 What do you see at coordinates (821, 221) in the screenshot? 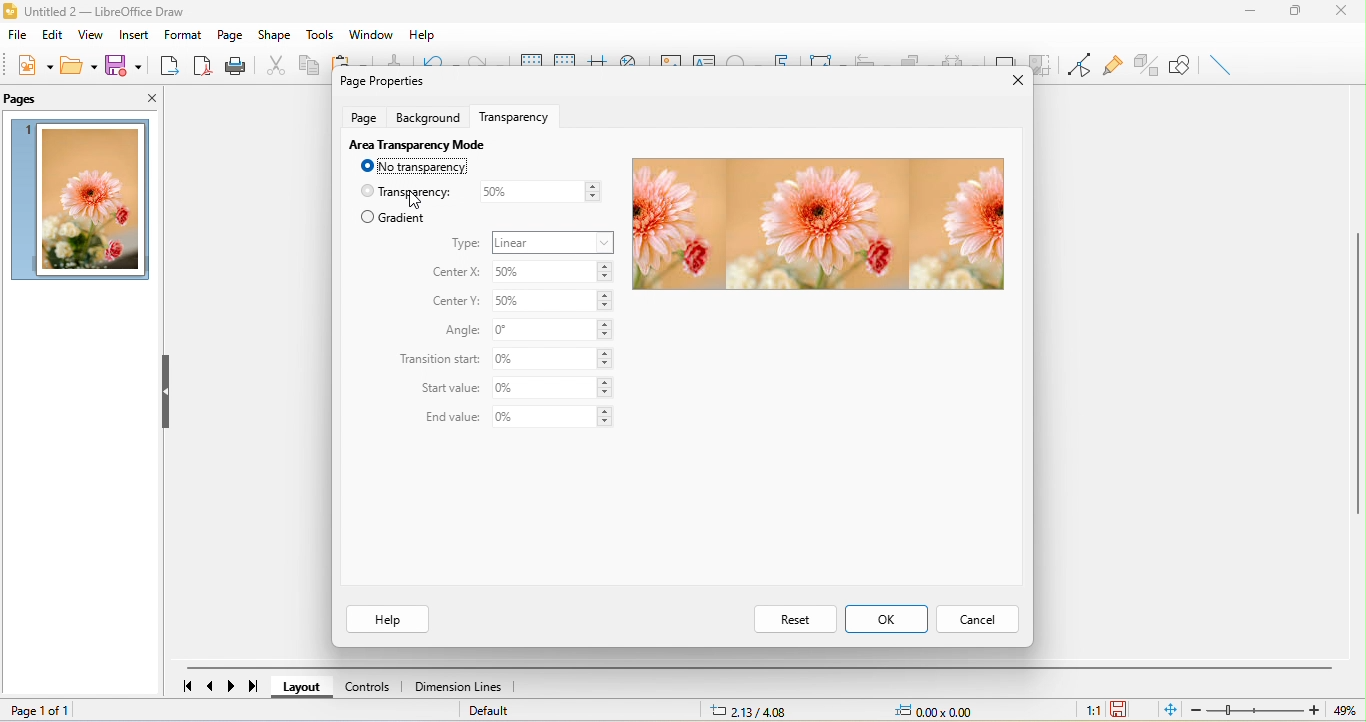
I see `image` at bounding box center [821, 221].